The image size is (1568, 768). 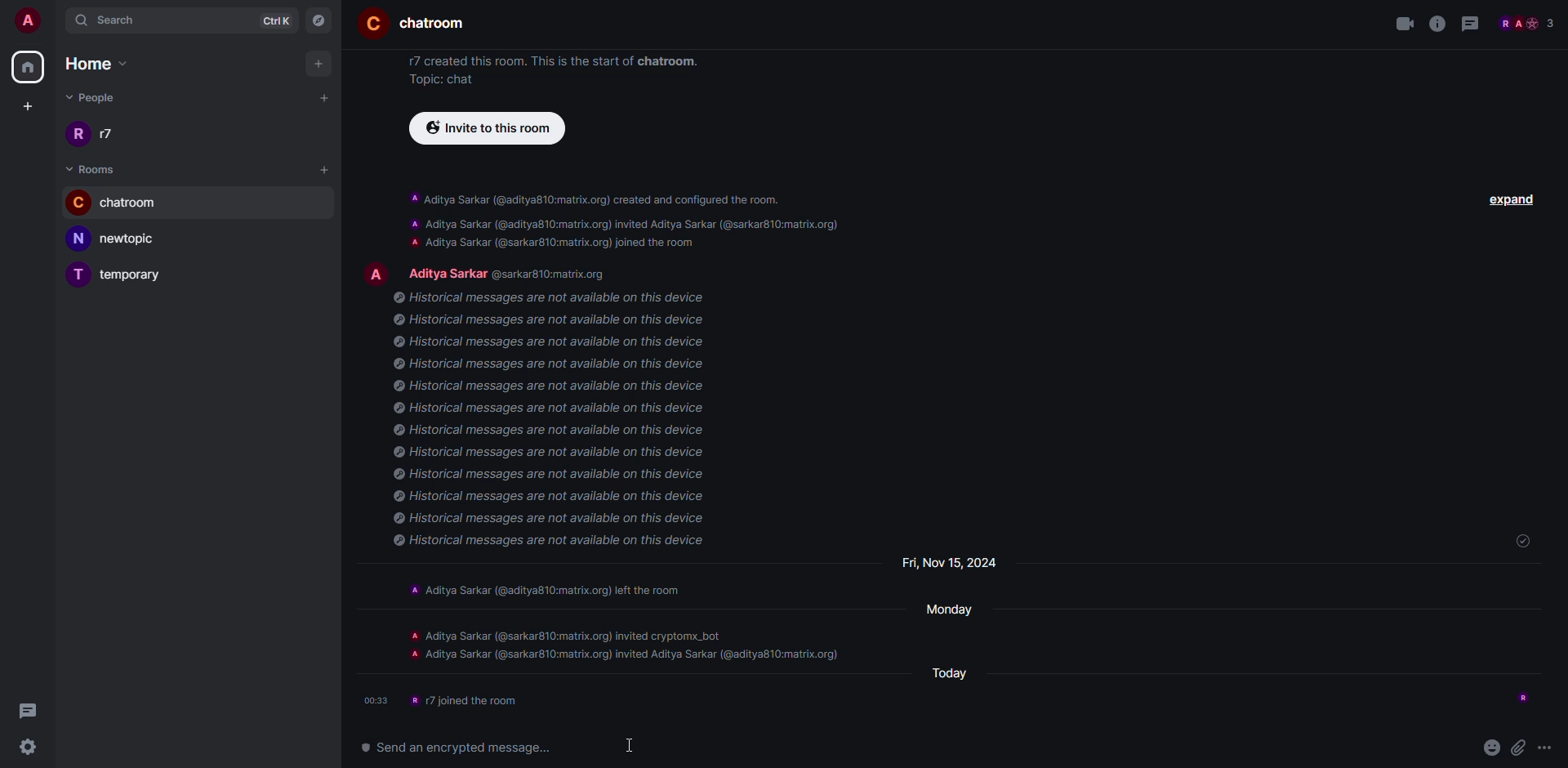 I want to click on cursor, so click(x=632, y=744).